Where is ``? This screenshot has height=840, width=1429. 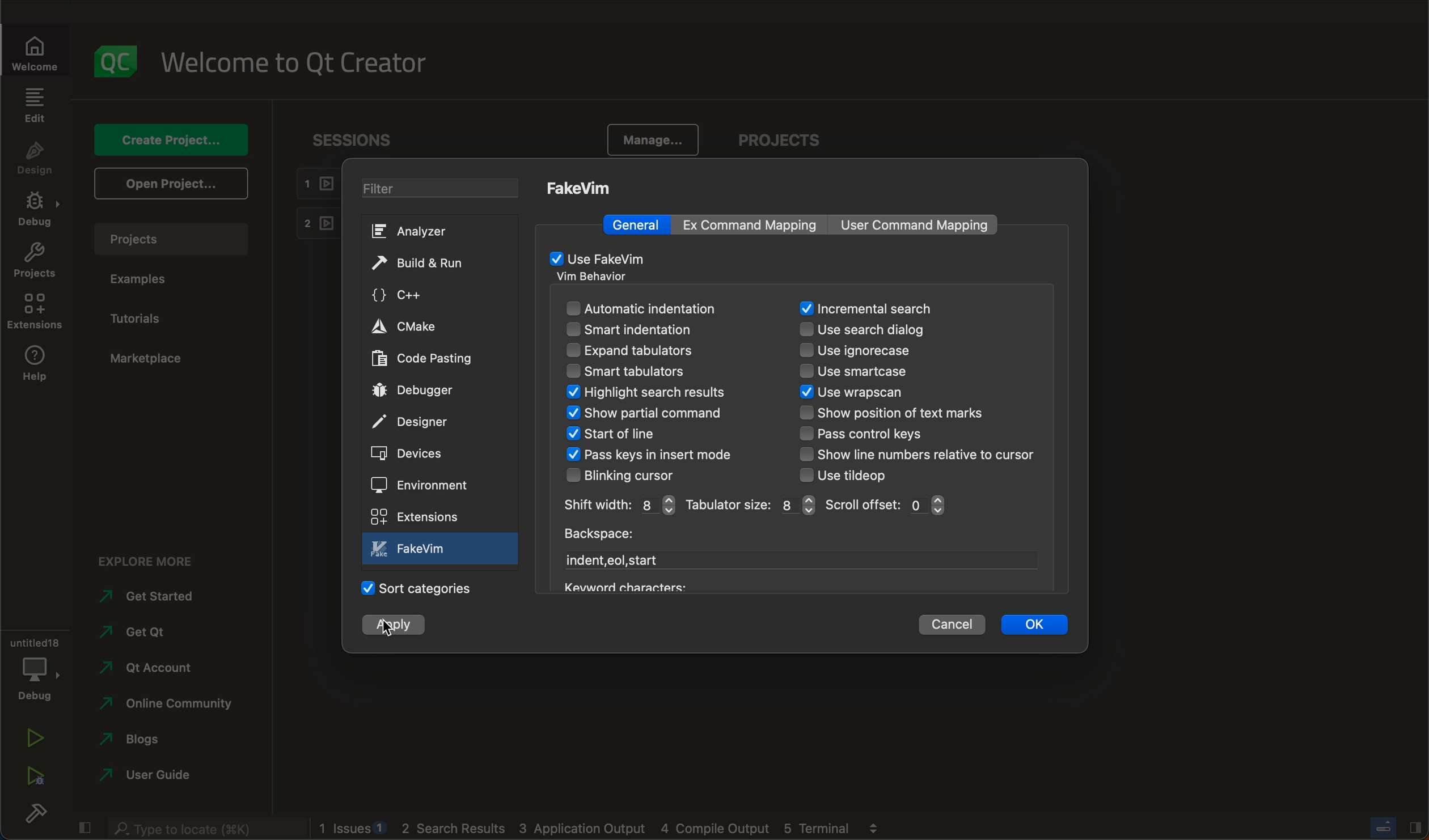
 is located at coordinates (873, 827).